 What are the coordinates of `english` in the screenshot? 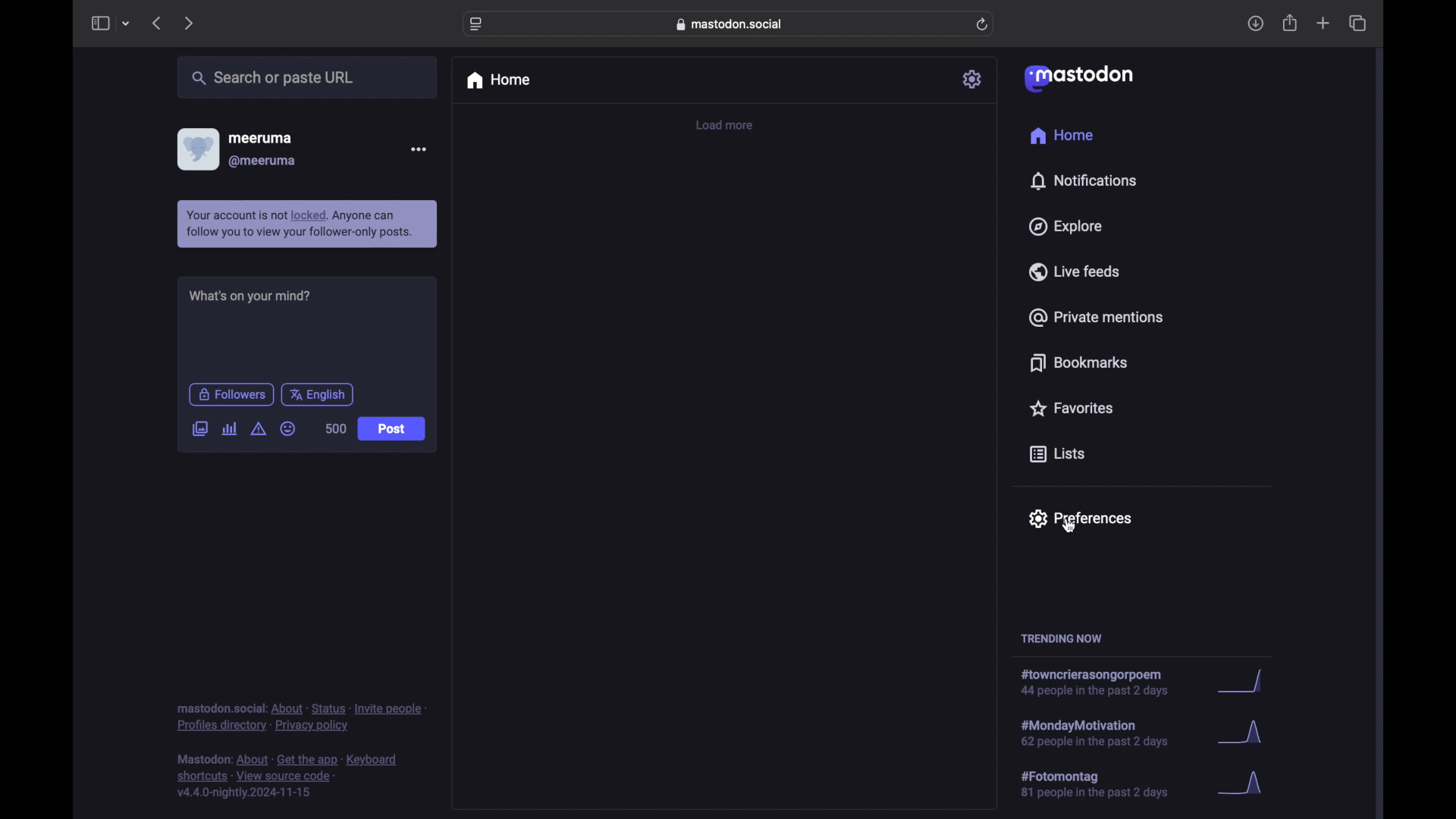 It's located at (318, 394).